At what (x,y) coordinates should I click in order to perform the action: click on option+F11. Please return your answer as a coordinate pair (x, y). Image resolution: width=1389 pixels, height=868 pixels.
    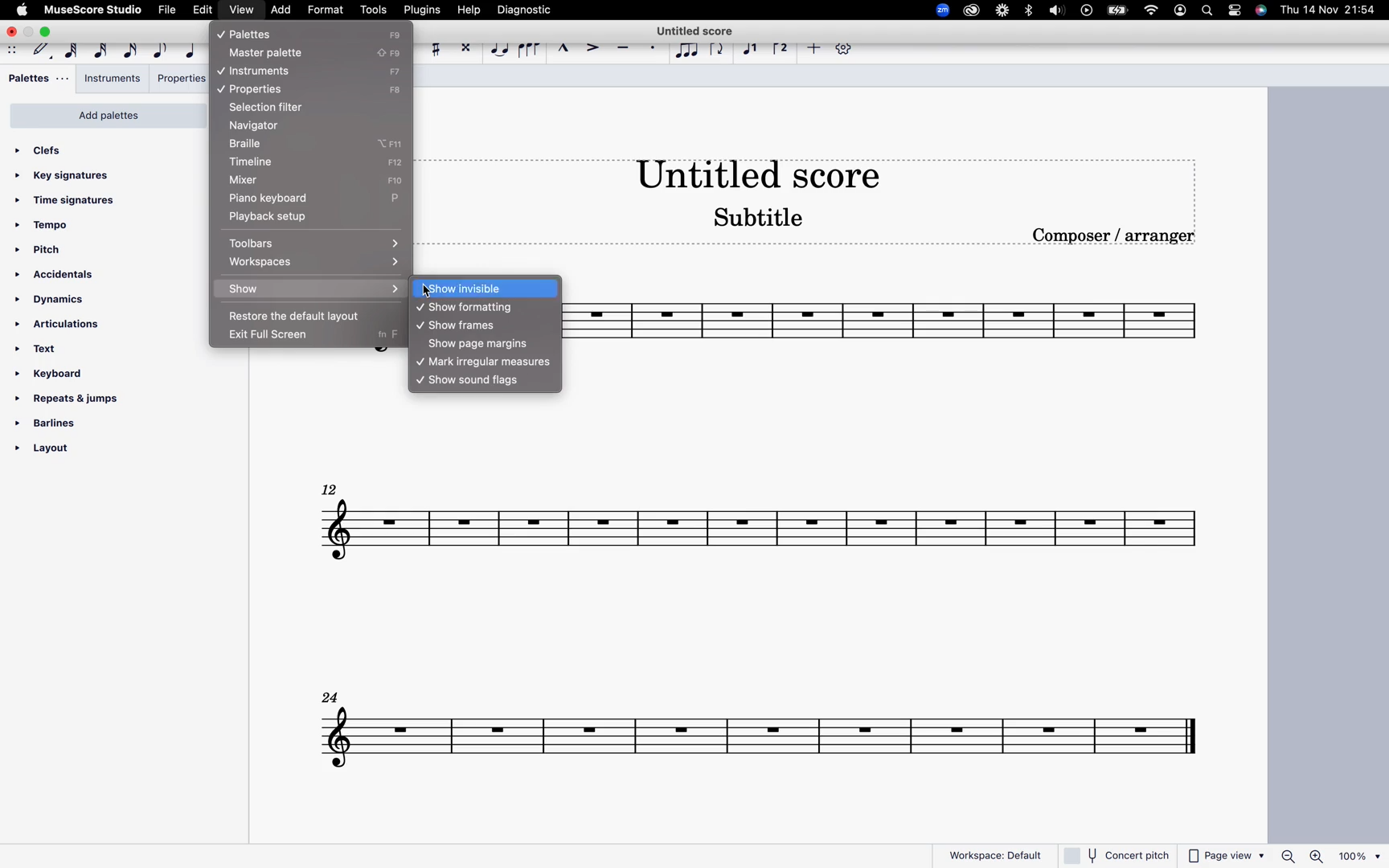
    Looking at the image, I should click on (396, 144).